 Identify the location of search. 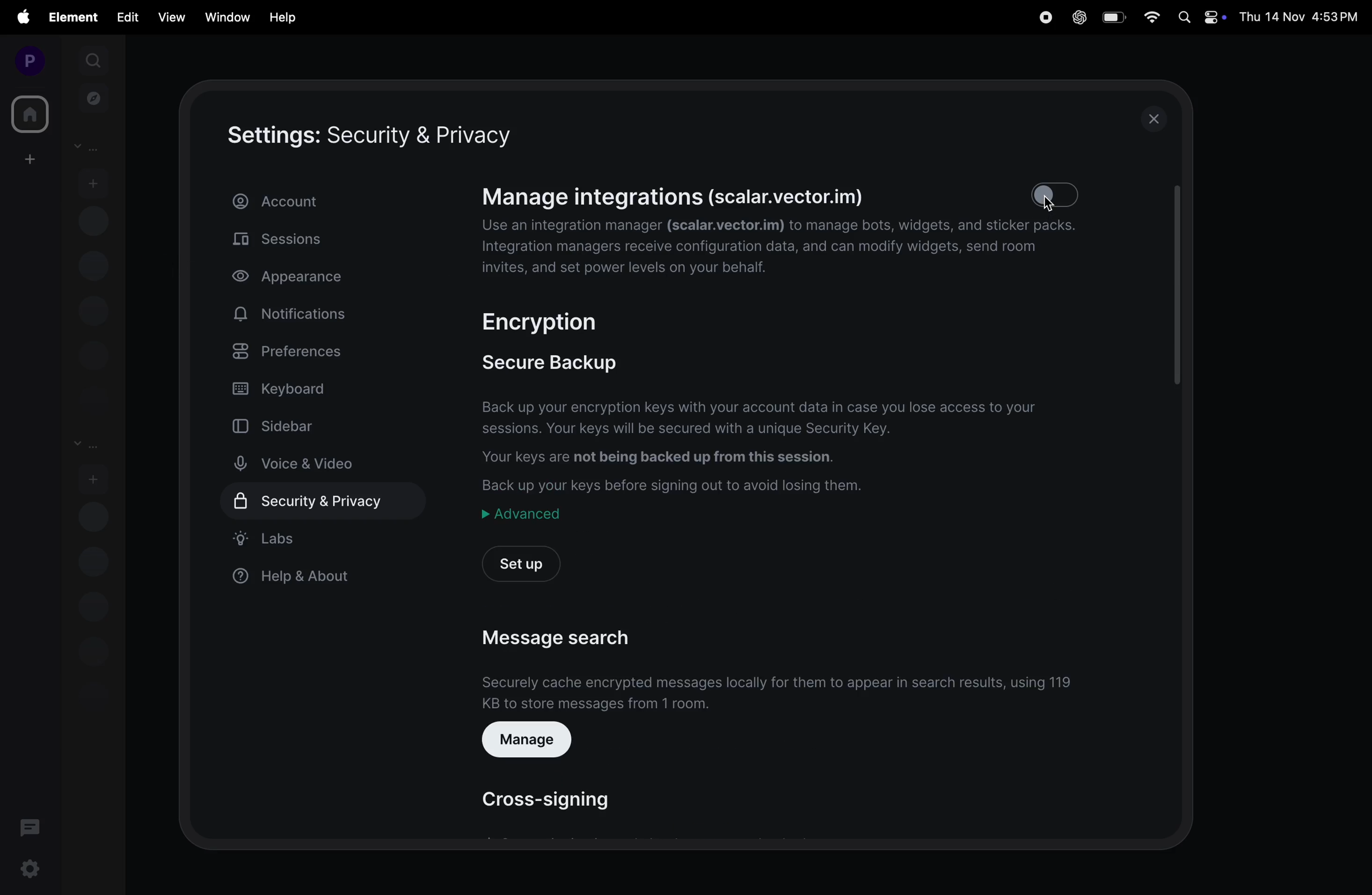
(93, 61).